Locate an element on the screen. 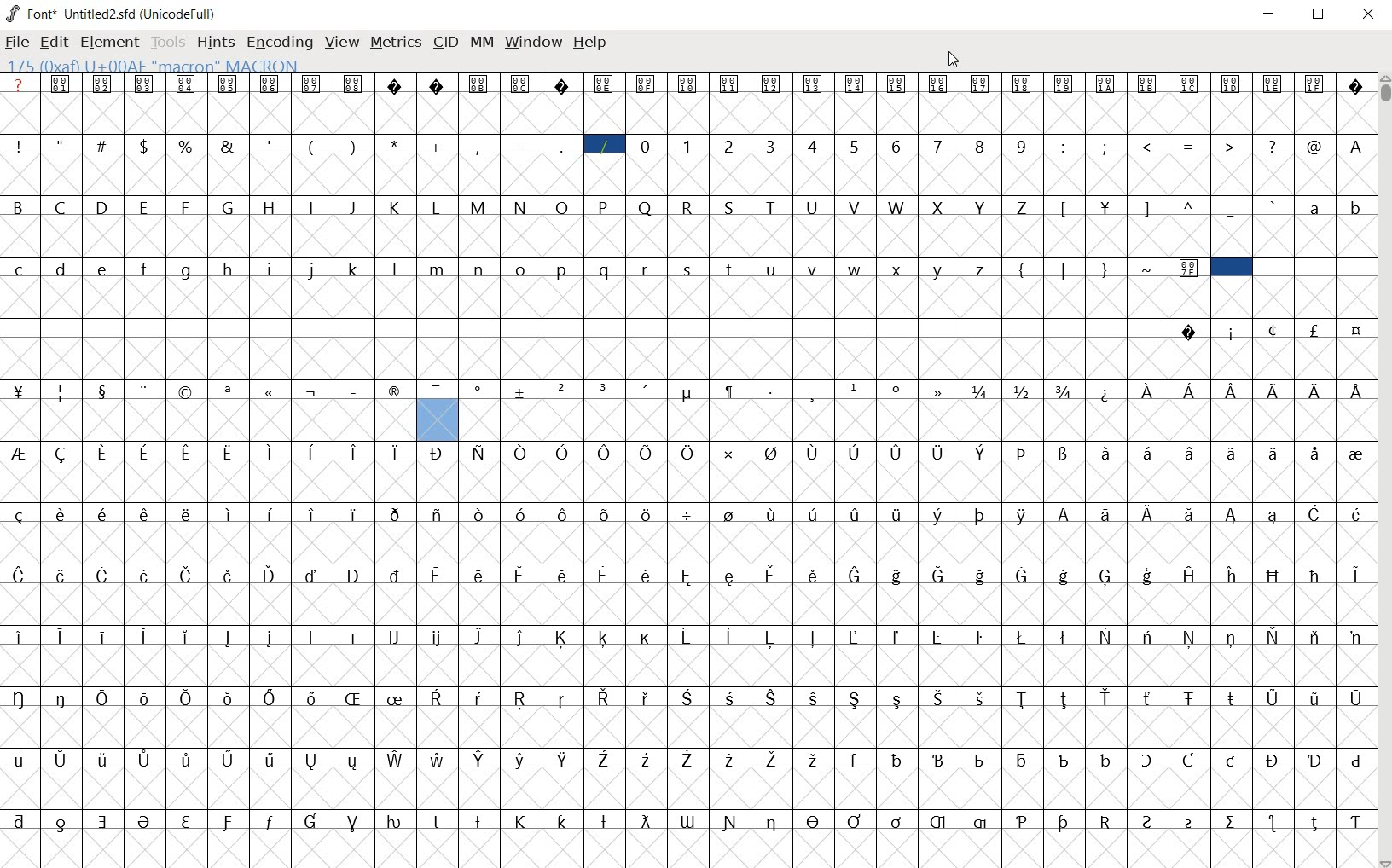  Symbol is located at coordinates (604, 819).